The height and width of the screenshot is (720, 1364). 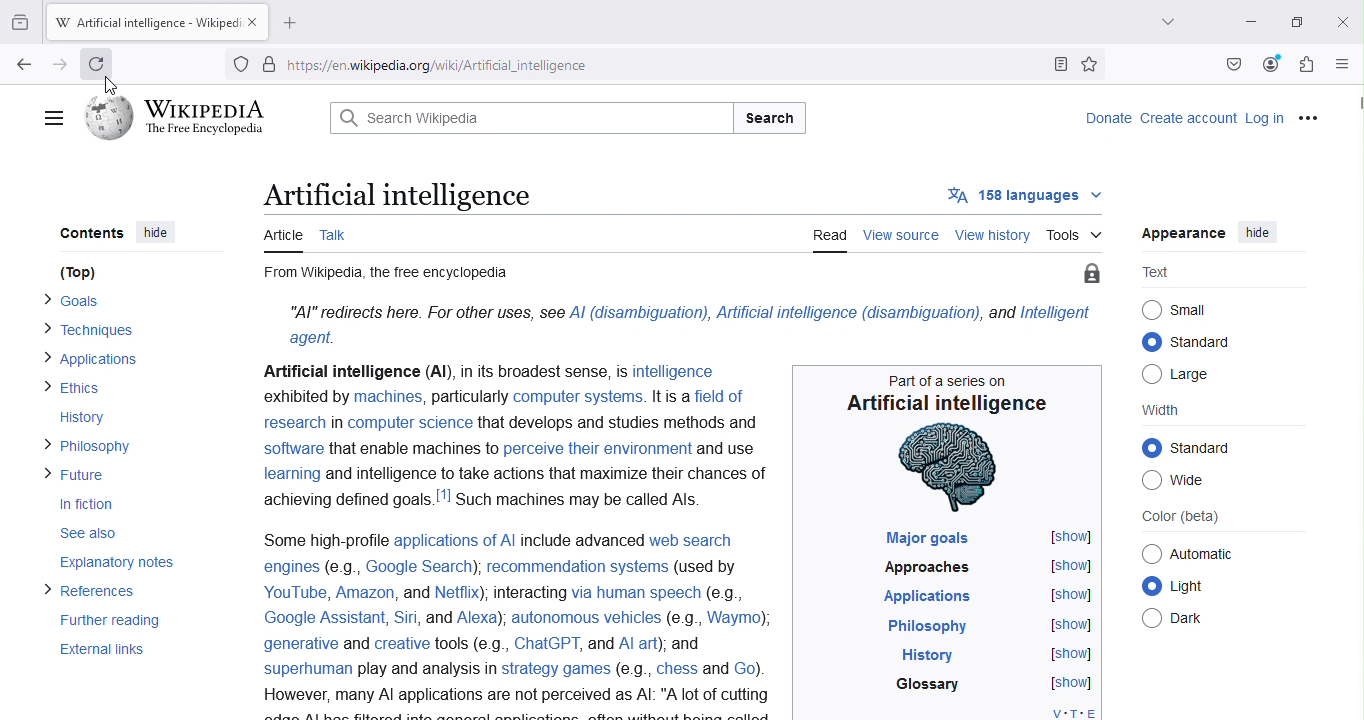 What do you see at coordinates (900, 237) in the screenshot?
I see `View source` at bounding box center [900, 237].